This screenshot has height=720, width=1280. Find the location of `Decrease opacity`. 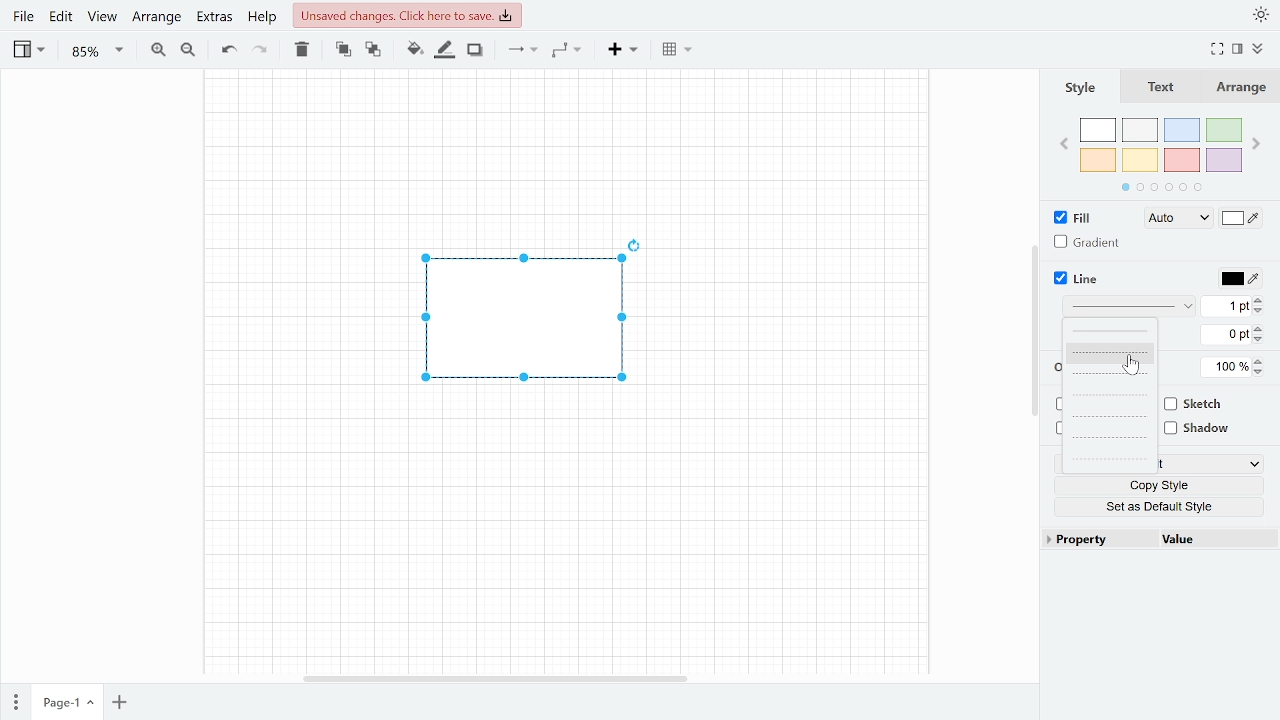

Decrease opacity is located at coordinates (1262, 373).